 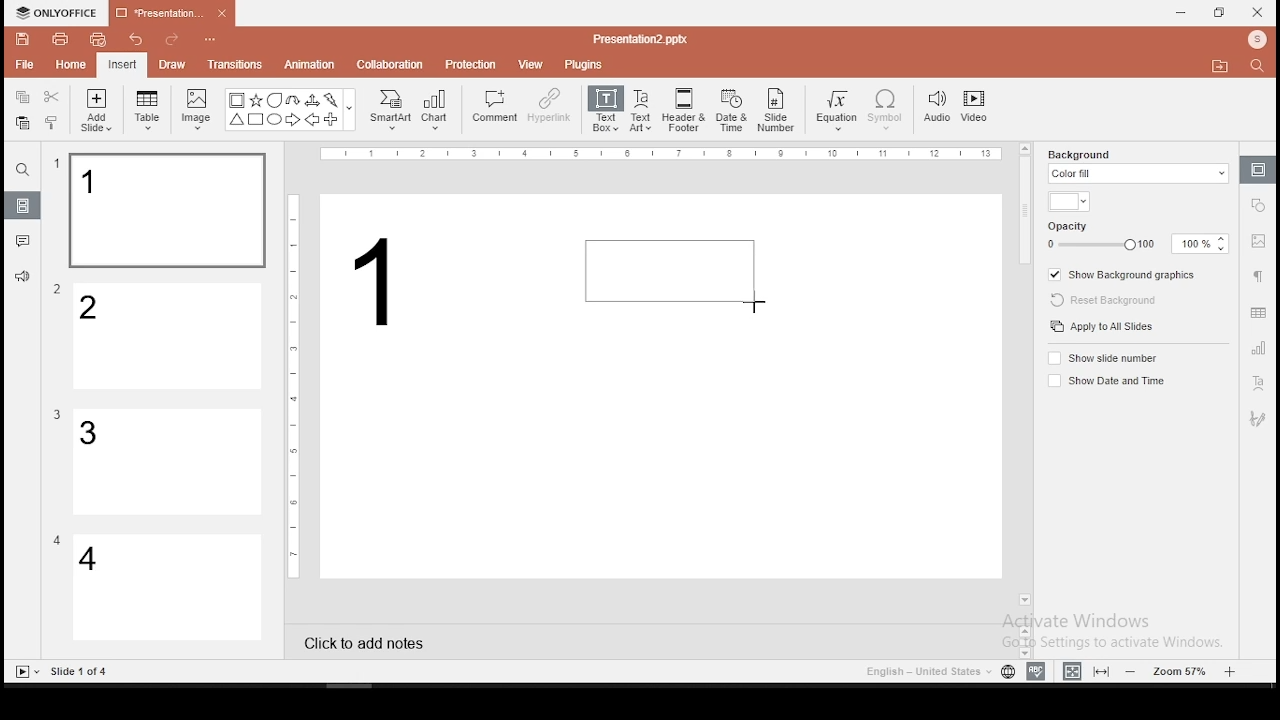 What do you see at coordinates (548, 105) in the screenshot?
I see `hyperlink` at bounding box center [548, 105].